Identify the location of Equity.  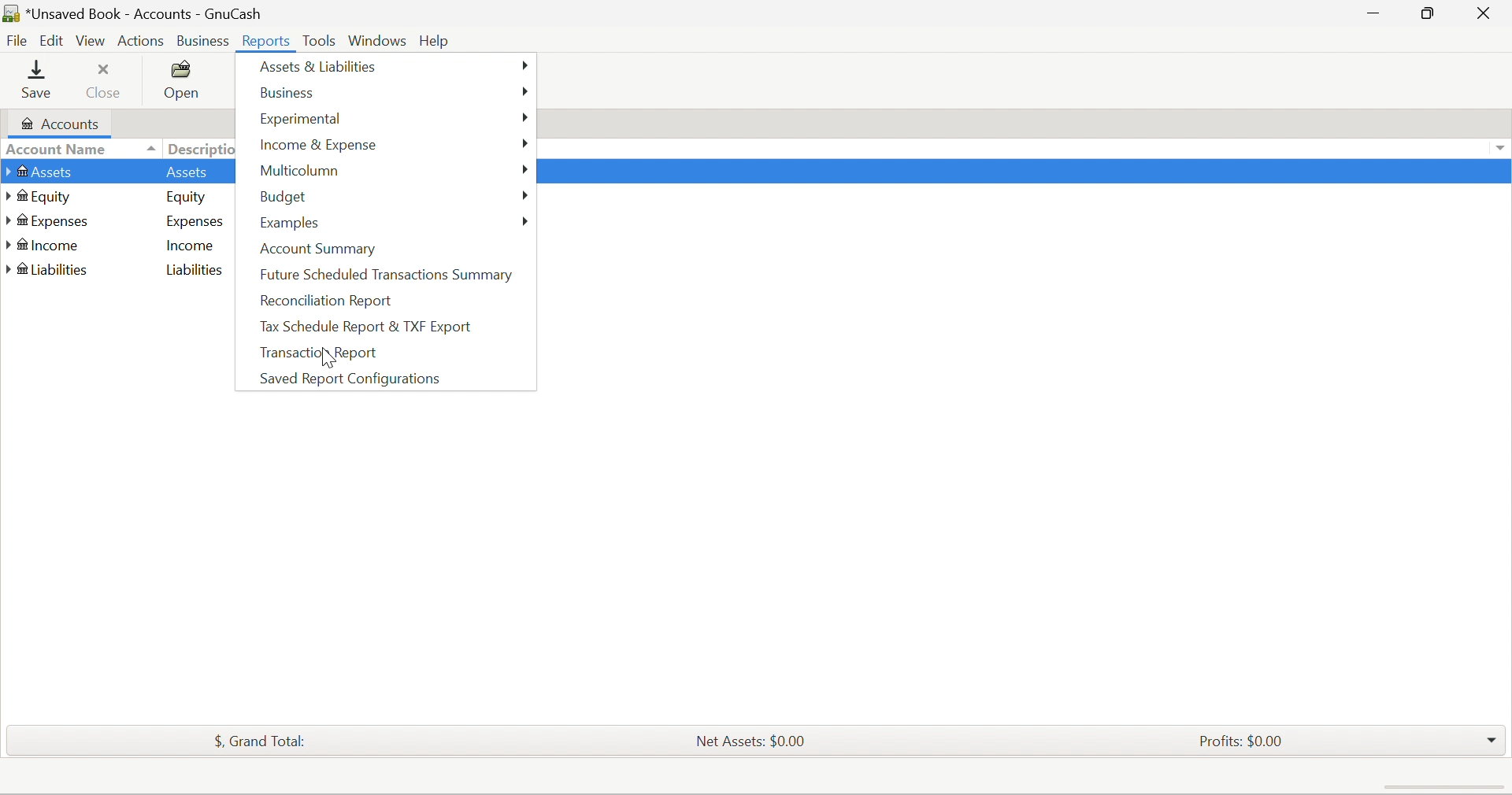
(42, 197).